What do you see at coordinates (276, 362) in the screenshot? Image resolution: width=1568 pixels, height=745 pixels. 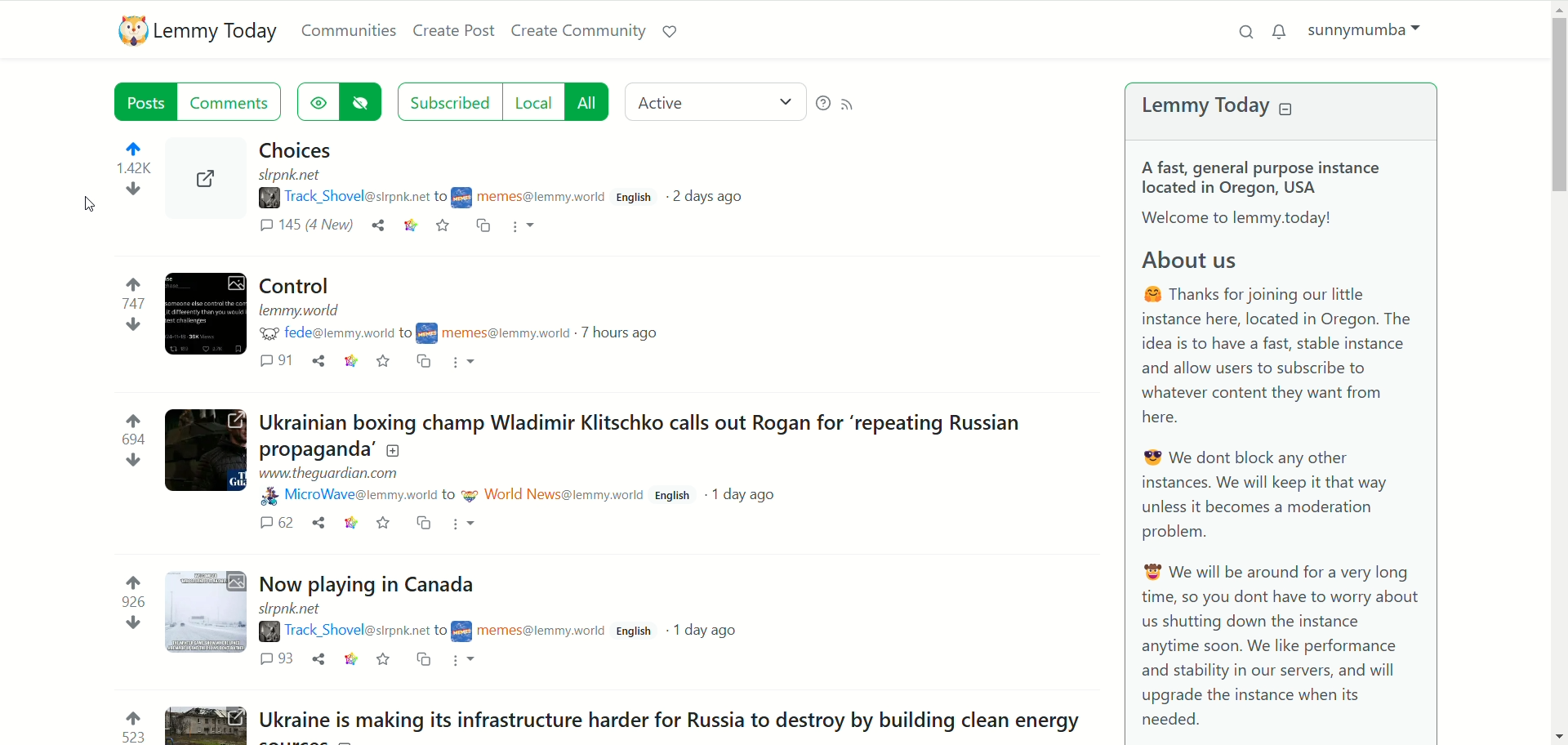 I see `91 comments` at bounding box center [276, 362].